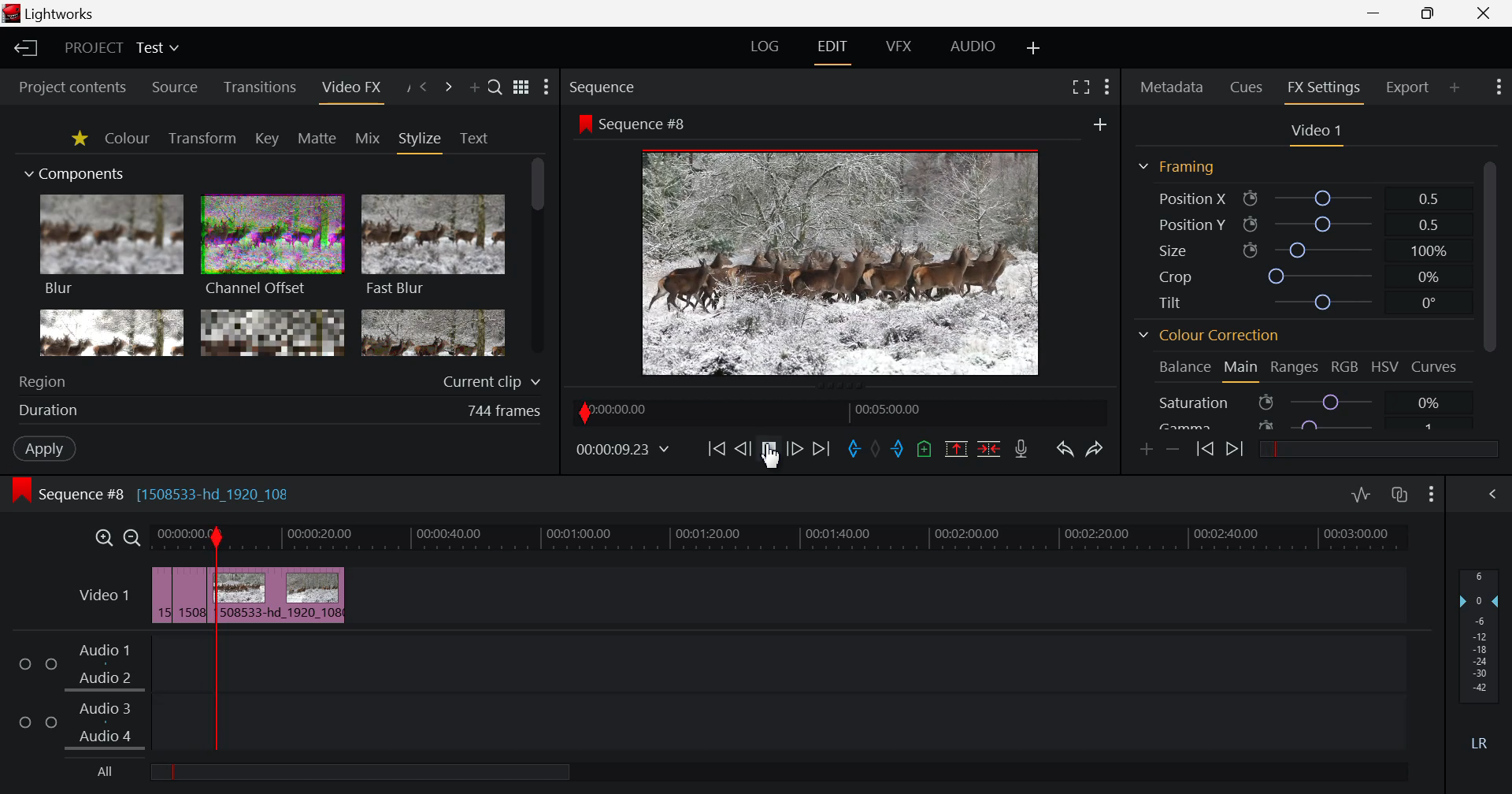  What do you see at coordinates (1300, 198) in the screenshot?
I see `Position X` at bounding box center [1300, 198].